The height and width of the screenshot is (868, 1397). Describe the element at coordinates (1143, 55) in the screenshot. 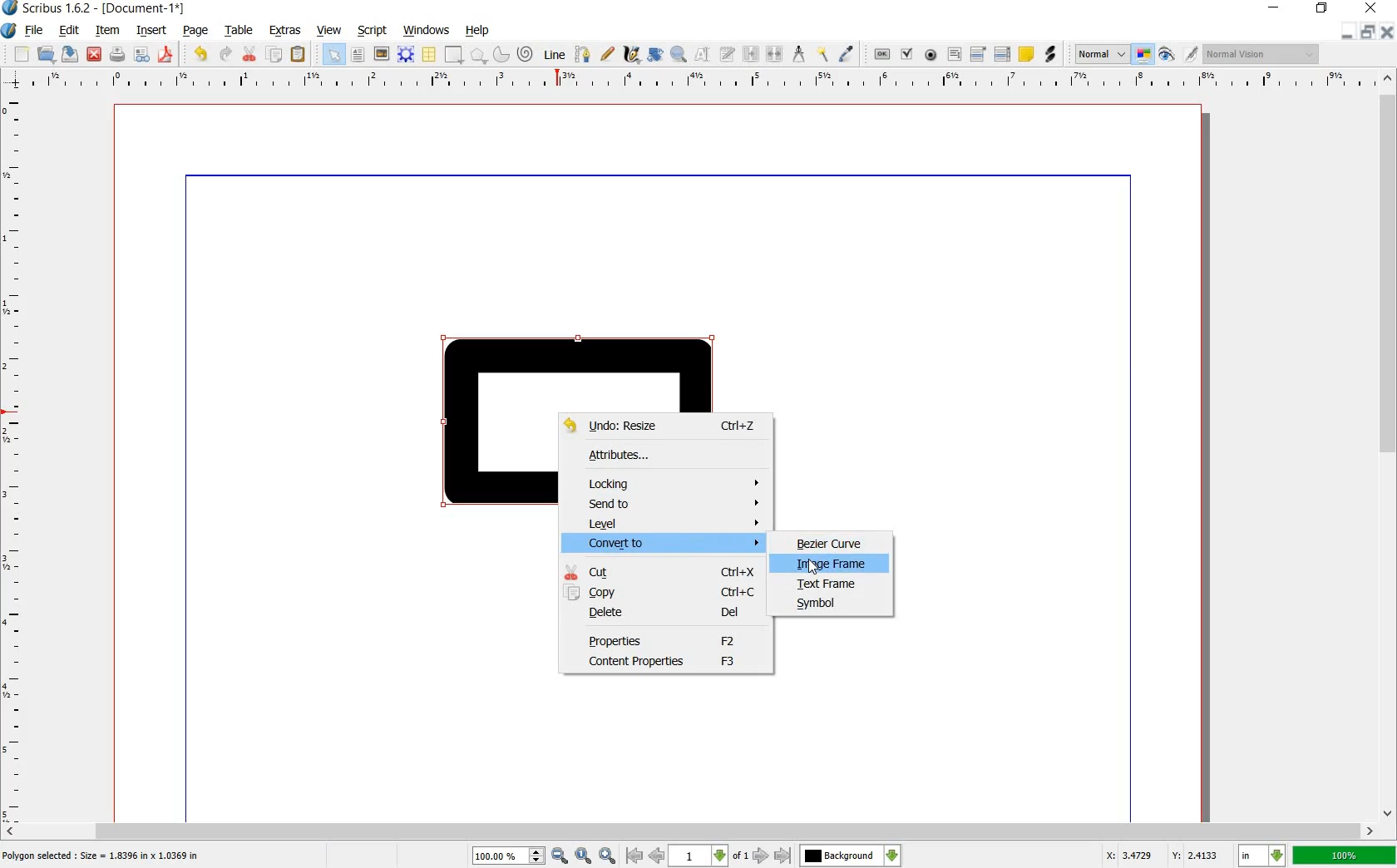

I see `toggle color management system` at that location.